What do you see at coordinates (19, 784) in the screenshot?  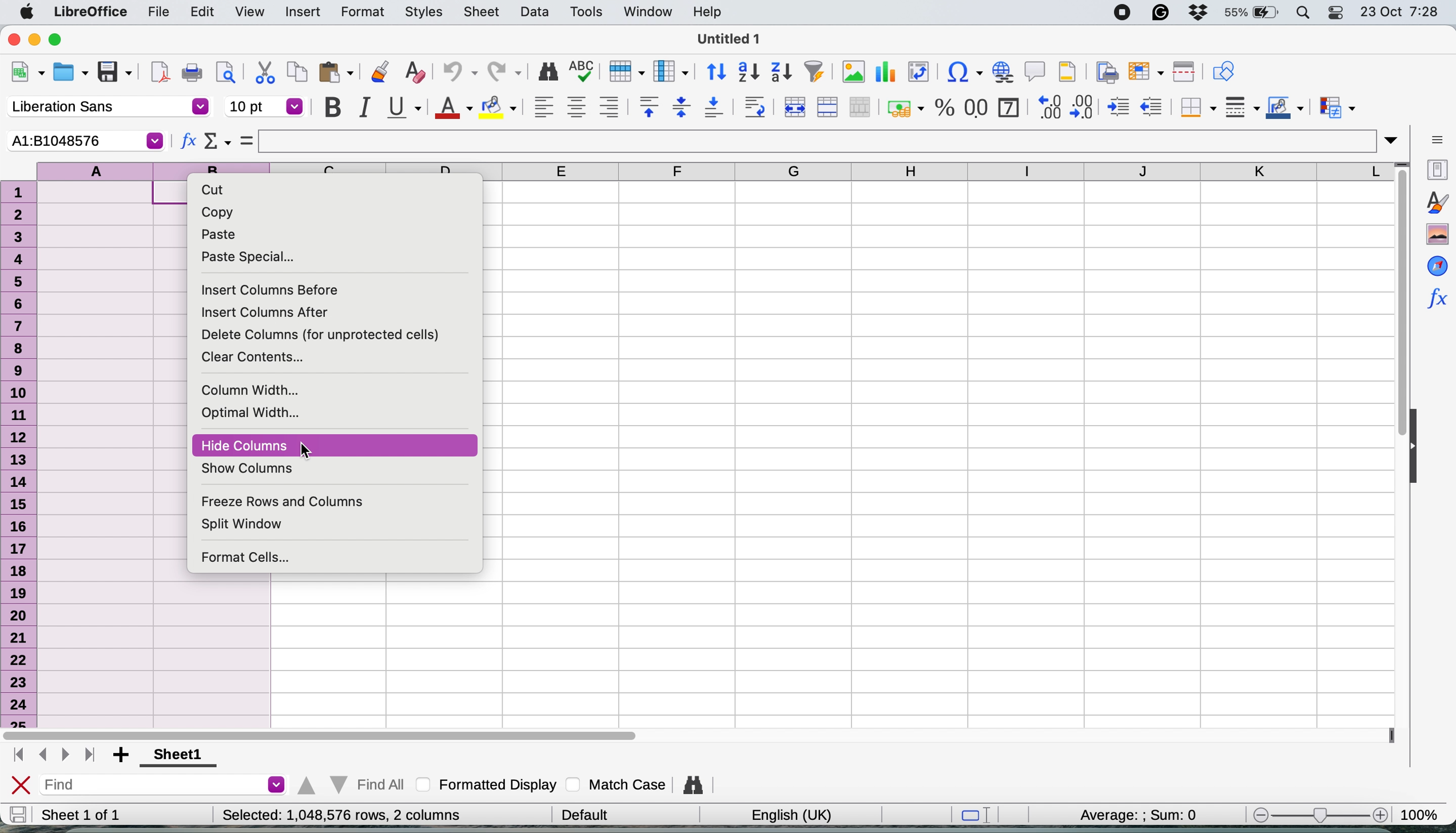 I see `close` at bounding box center [19, 784].